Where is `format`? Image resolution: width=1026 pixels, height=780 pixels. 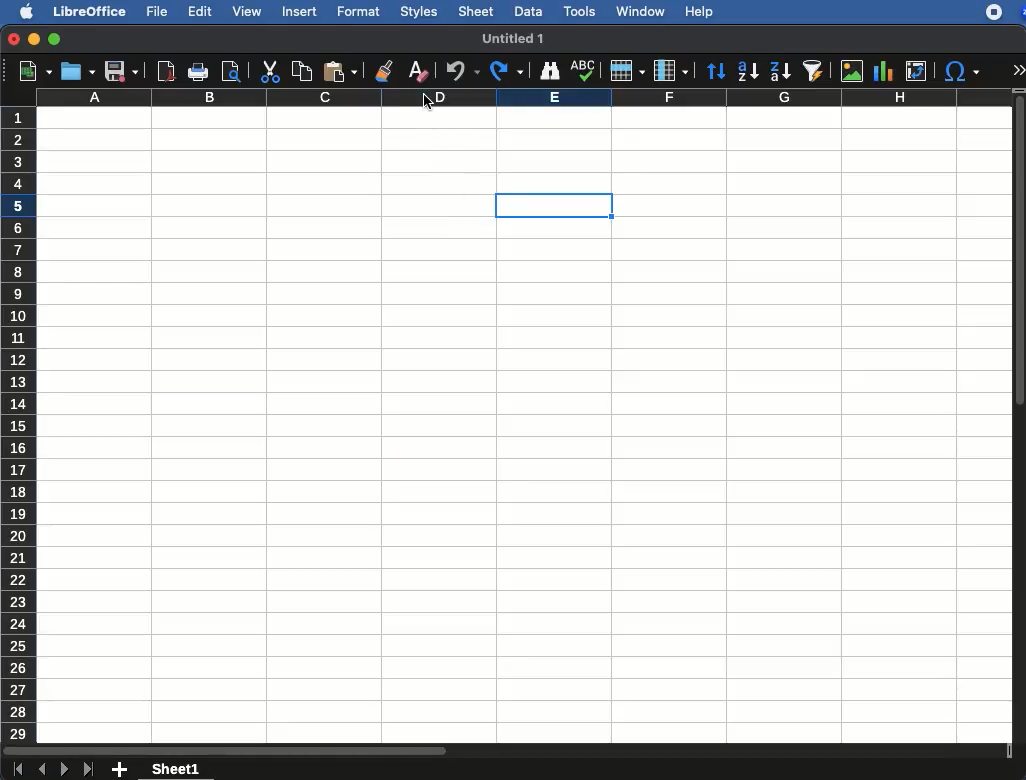
format is located at coordinates (359, 12).